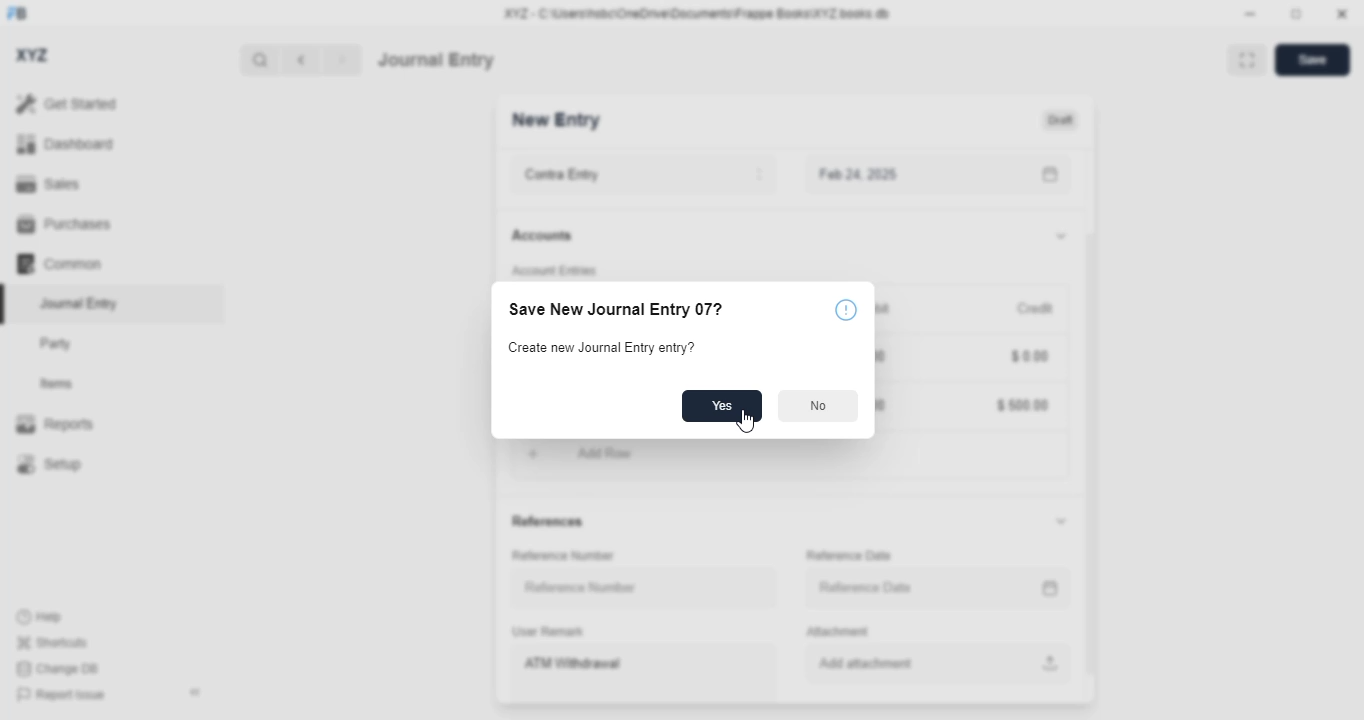  What do you see at coordinates (17, 13) in the screenshot?
I see `FB - logo` at bounding box center [17, 13].